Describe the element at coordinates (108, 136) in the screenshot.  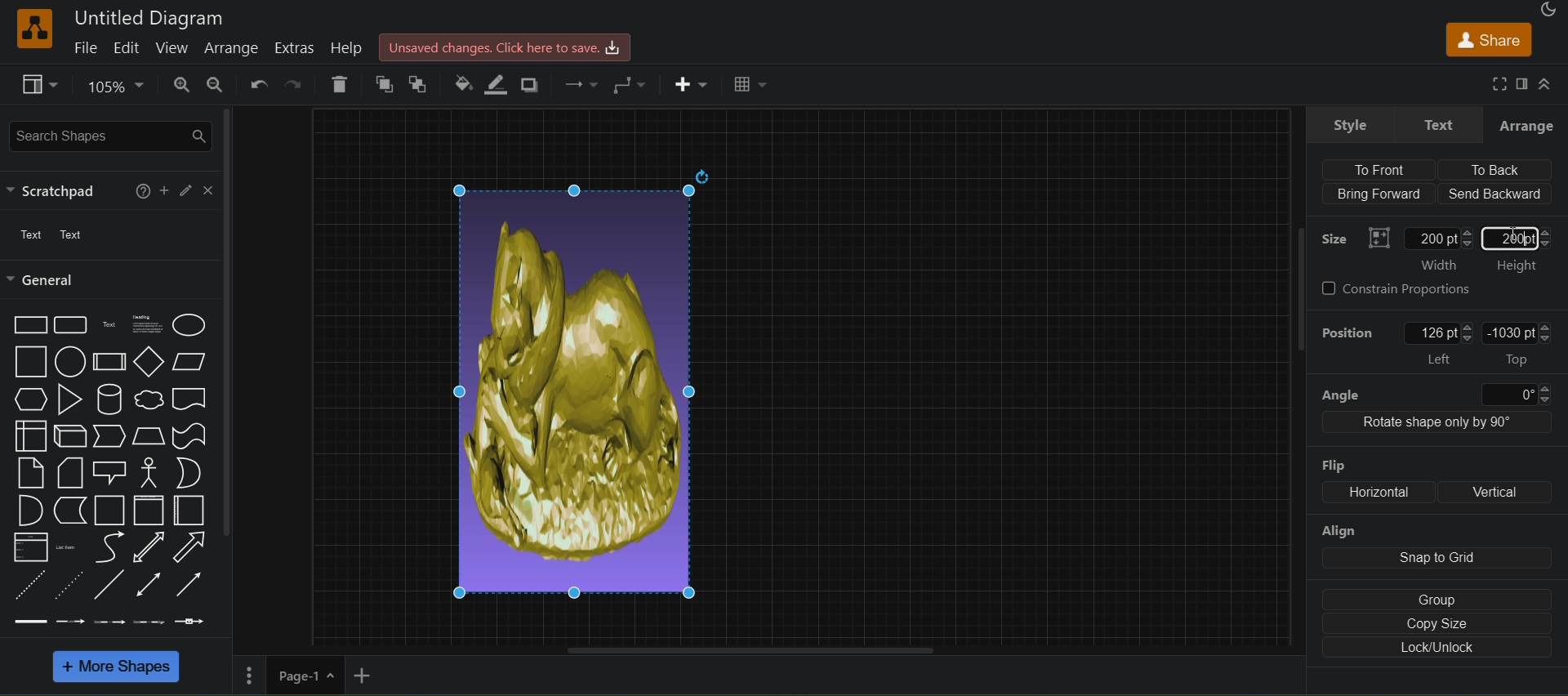
I see `search shapes` at that location.